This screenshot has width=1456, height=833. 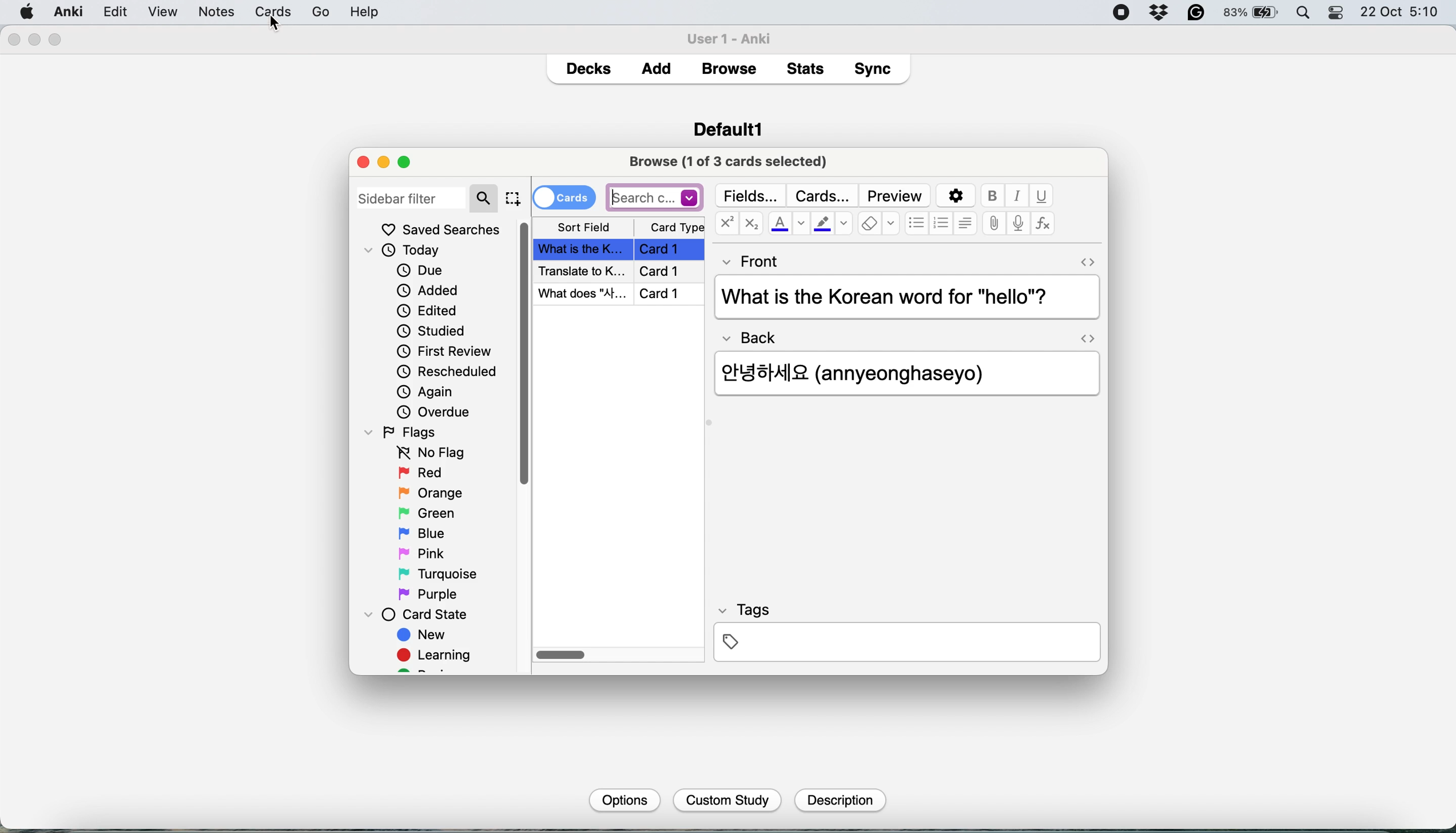 I want to click on subscript, so click(x=749, y=225).